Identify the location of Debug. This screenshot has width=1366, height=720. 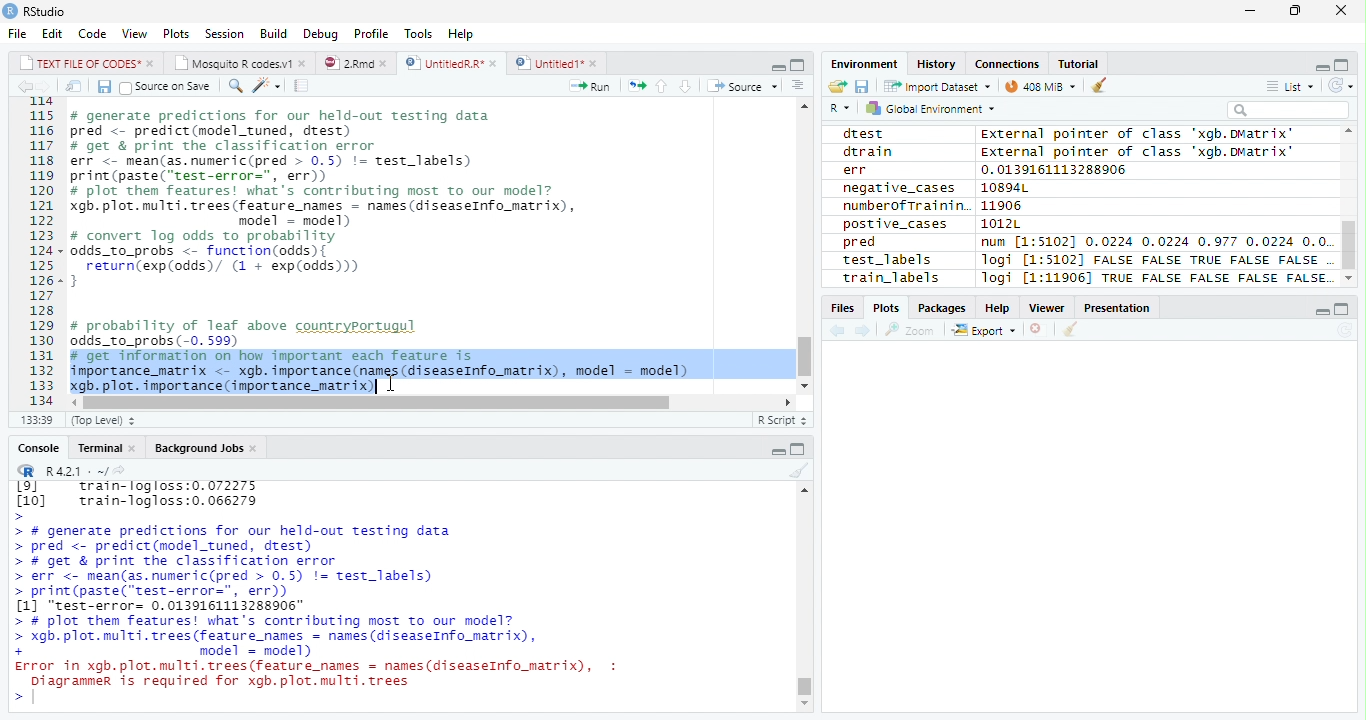
(319, 35).